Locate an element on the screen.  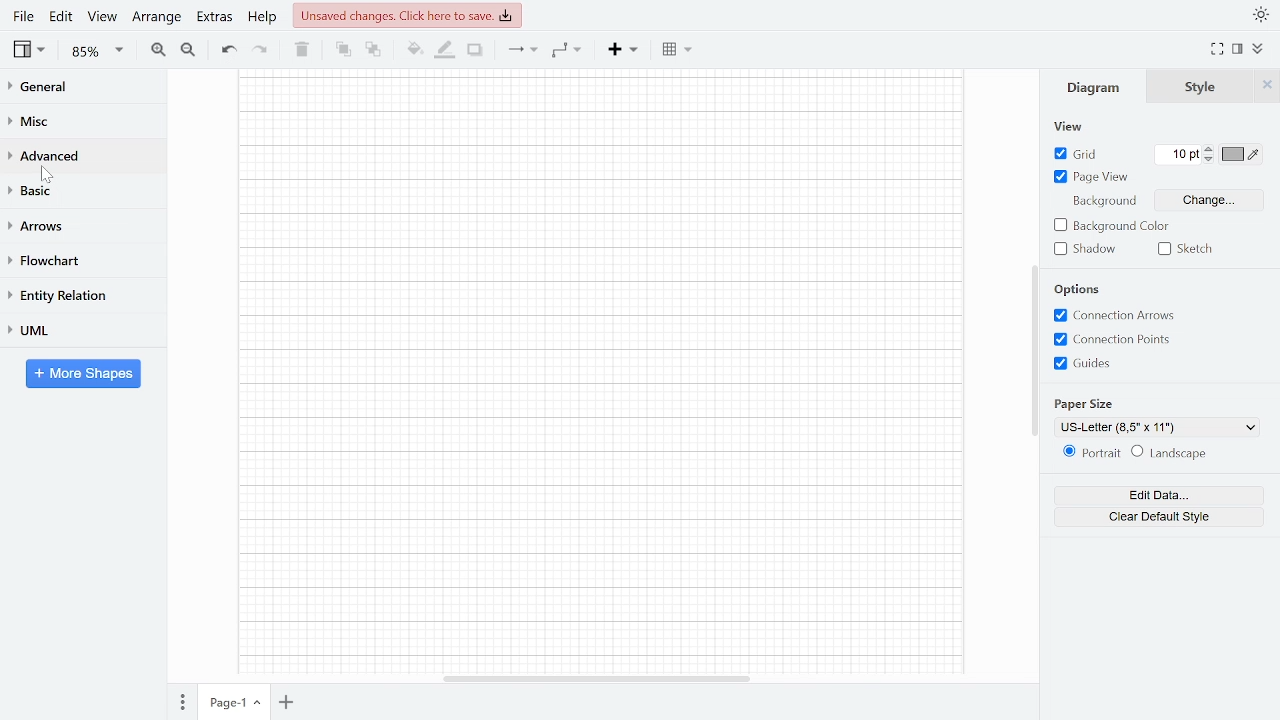
Change background is located at coordinates (1212, 201).